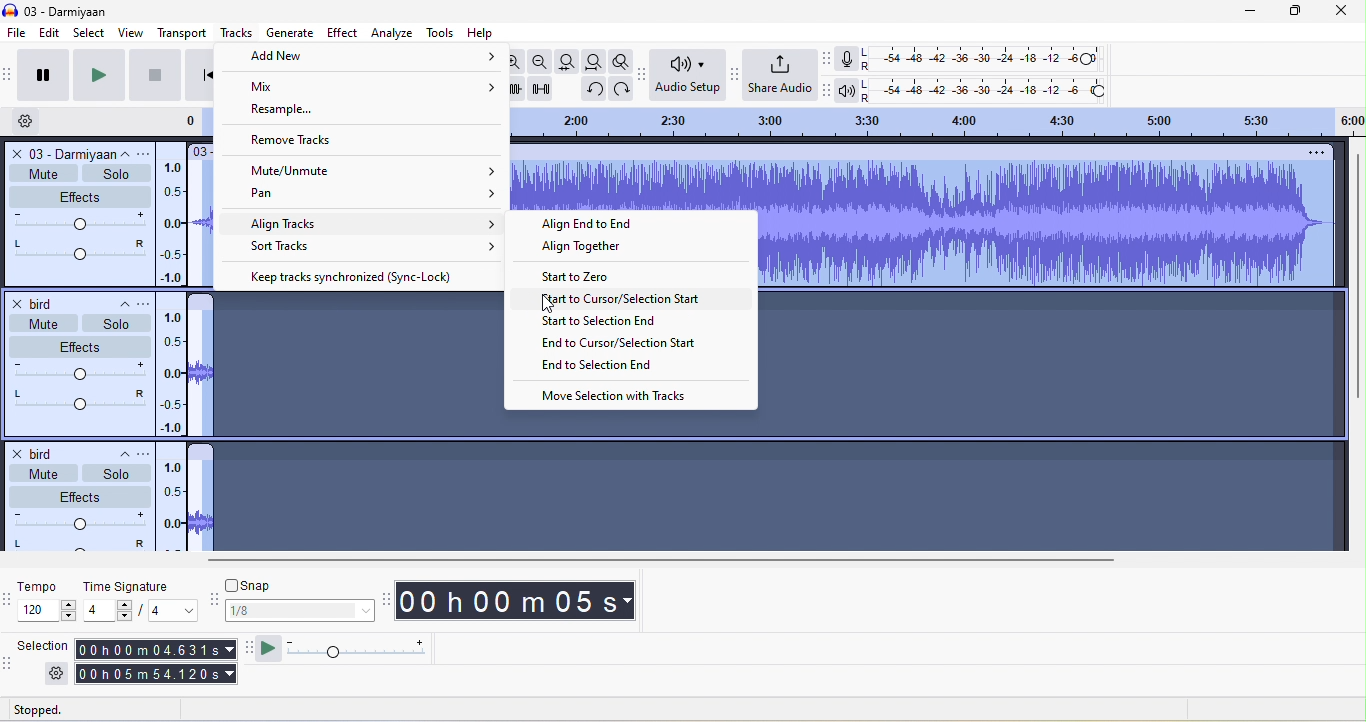 This screenshot has width=1366, height=722. Describe the element at coordinates (543, 89) in the screenshot. I see `silence audio selection` at that location.